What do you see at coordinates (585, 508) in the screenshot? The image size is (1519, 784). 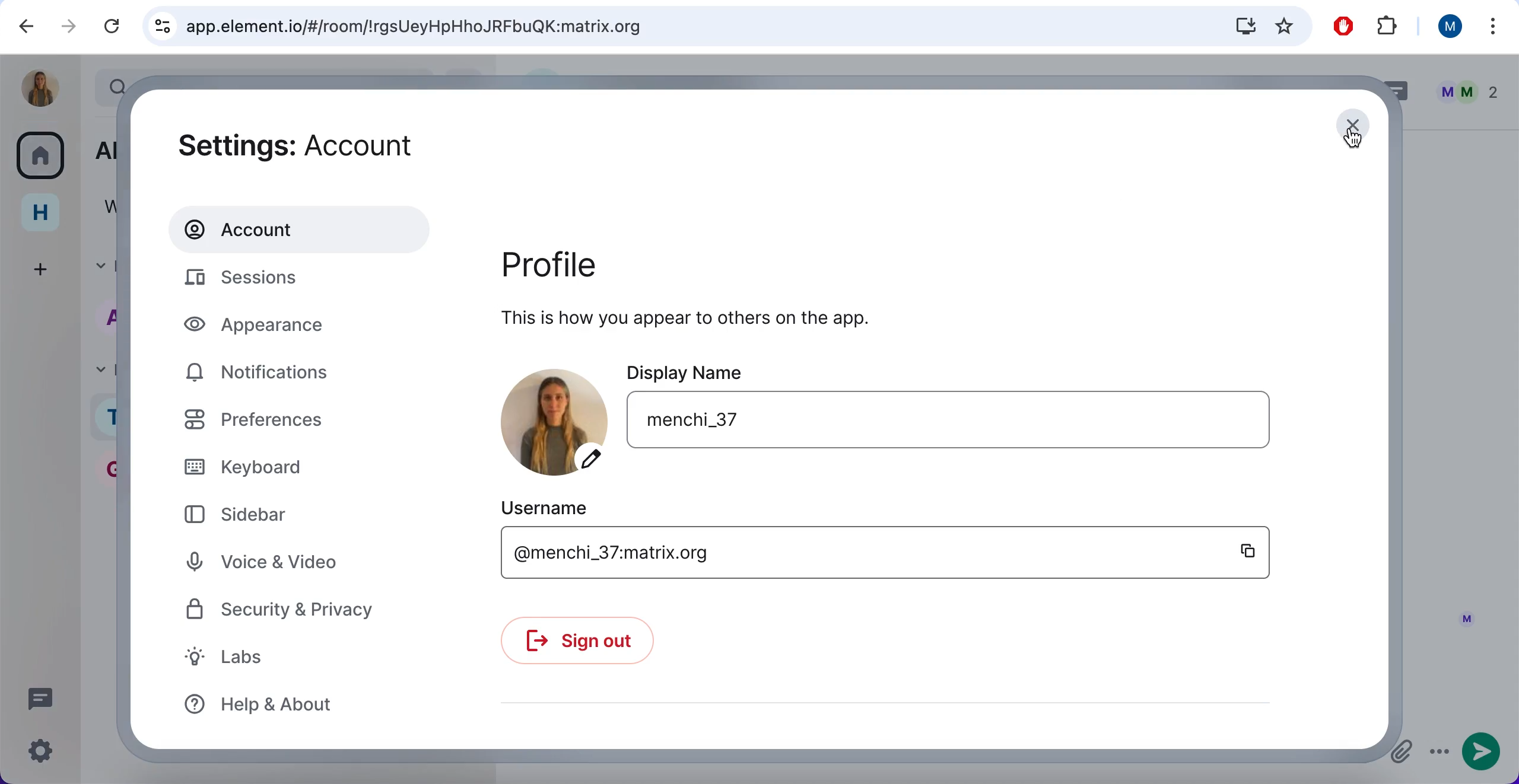 I see `username` at bounding box center [585, 508].